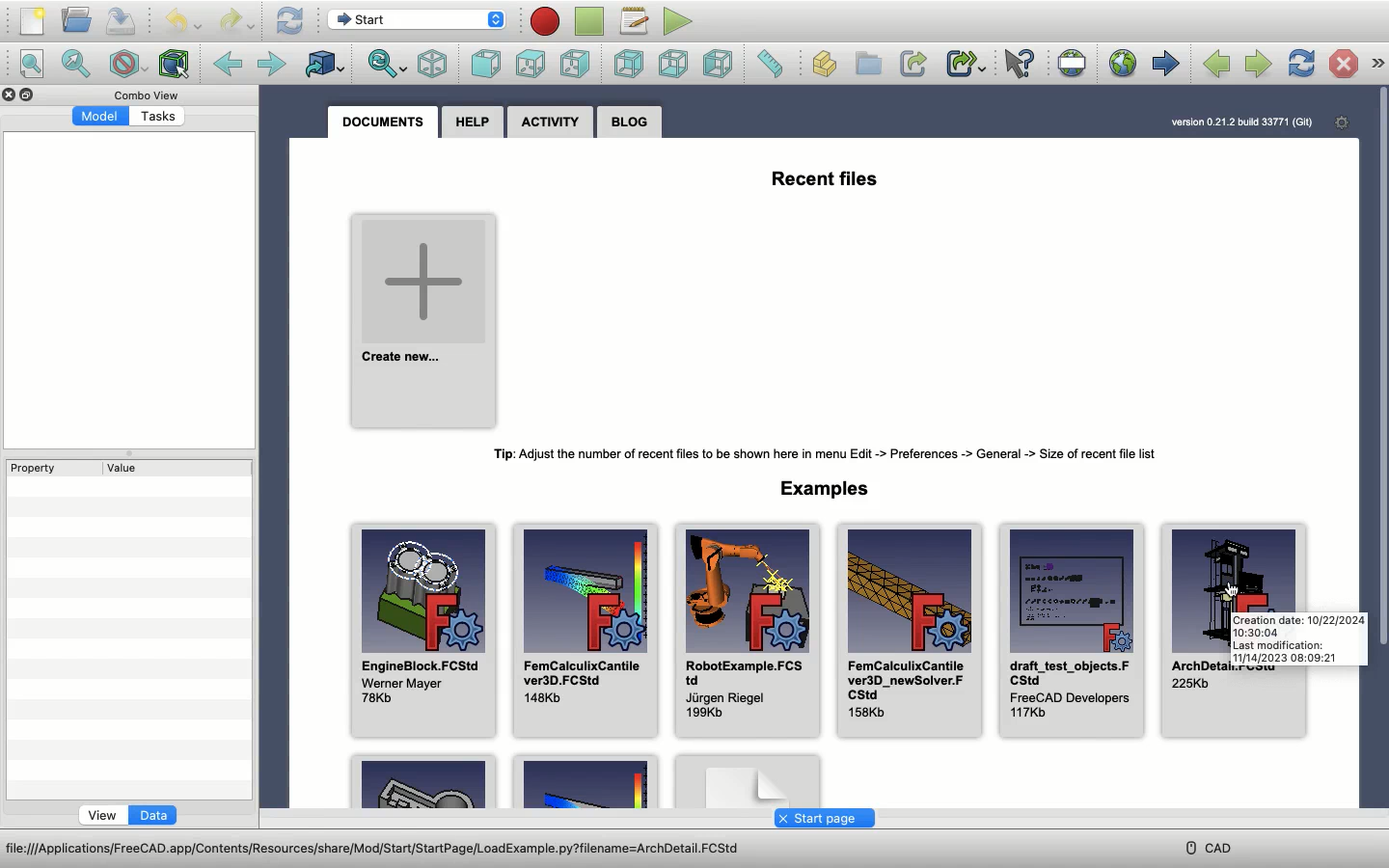 This screenshot has width=1389, height=868. I want to click on Address, so click(392, 848).